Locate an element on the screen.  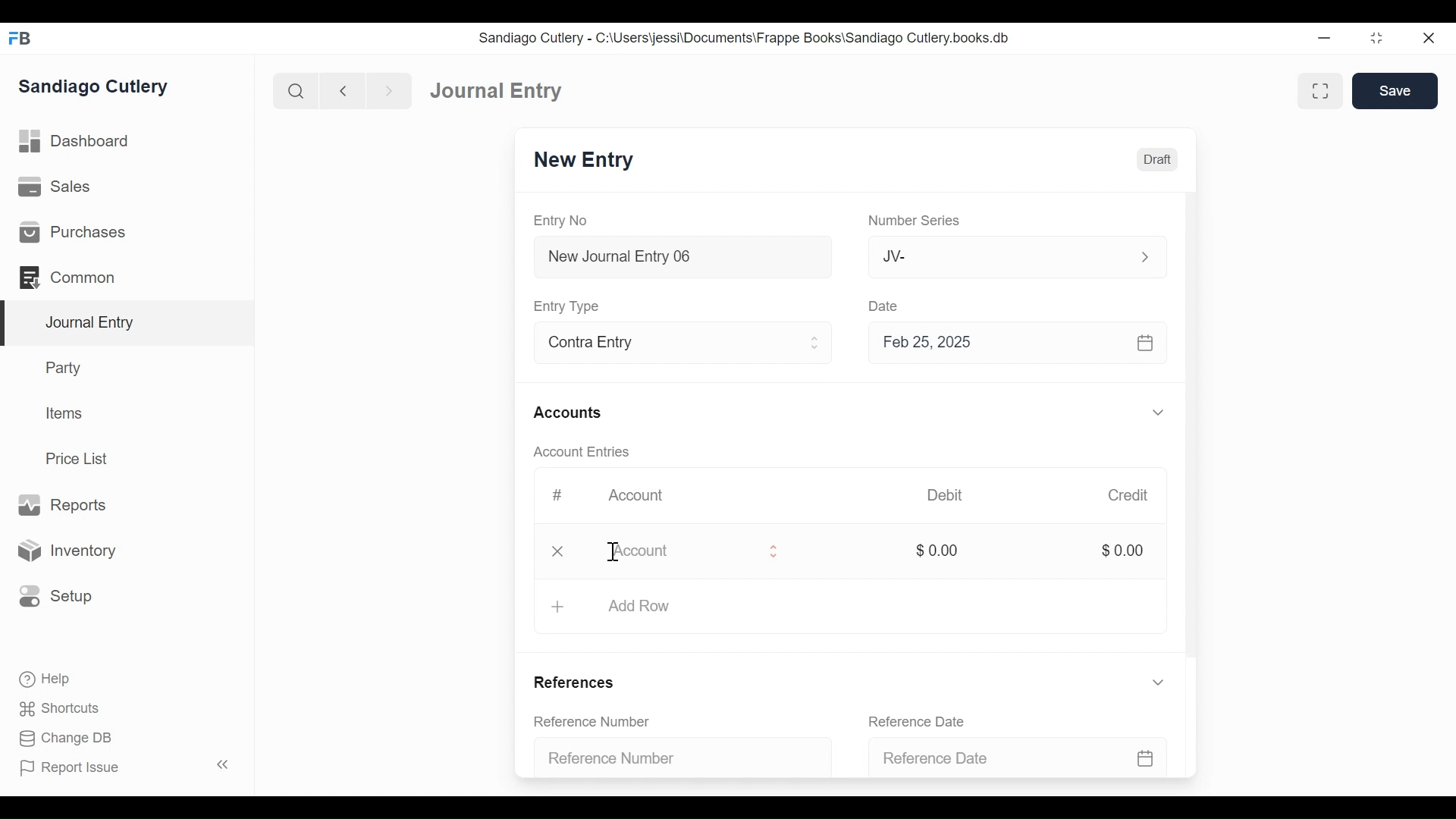
Number Series is located at coordinates (917, 221).